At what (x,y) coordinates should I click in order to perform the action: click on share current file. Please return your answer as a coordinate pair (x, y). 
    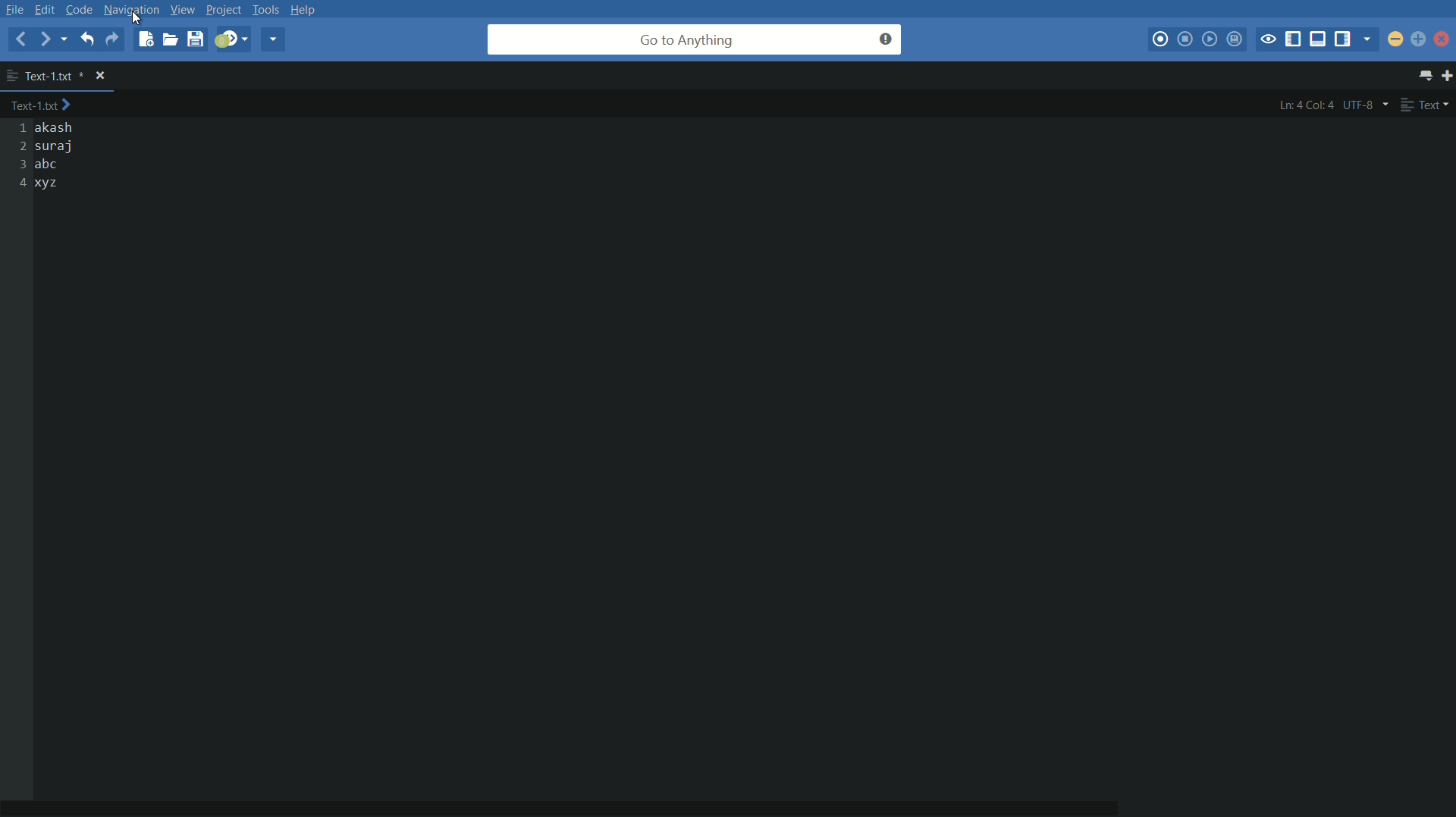
    Looking at the image, I should click on (272, 39).